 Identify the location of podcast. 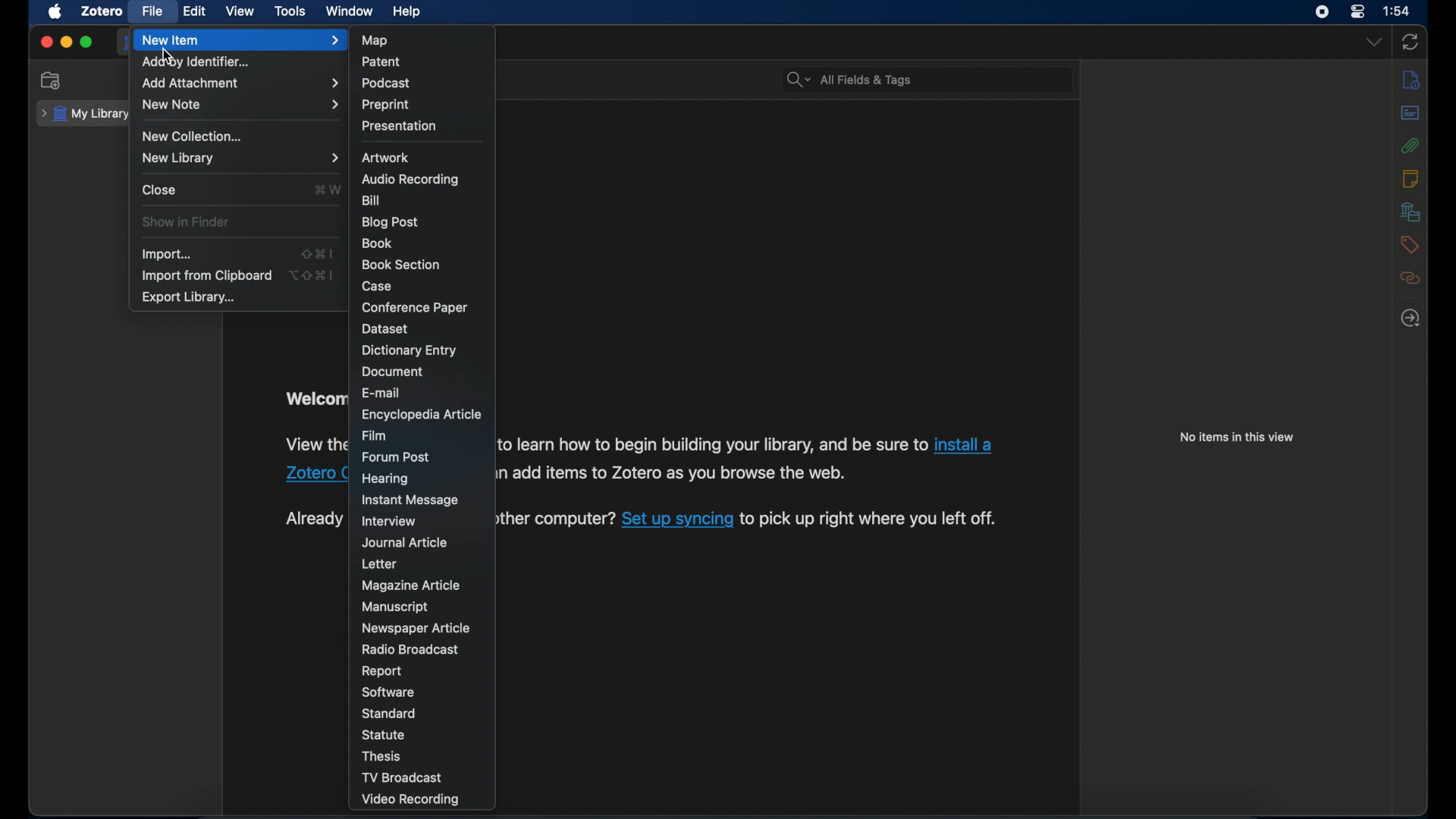
(388, 83).